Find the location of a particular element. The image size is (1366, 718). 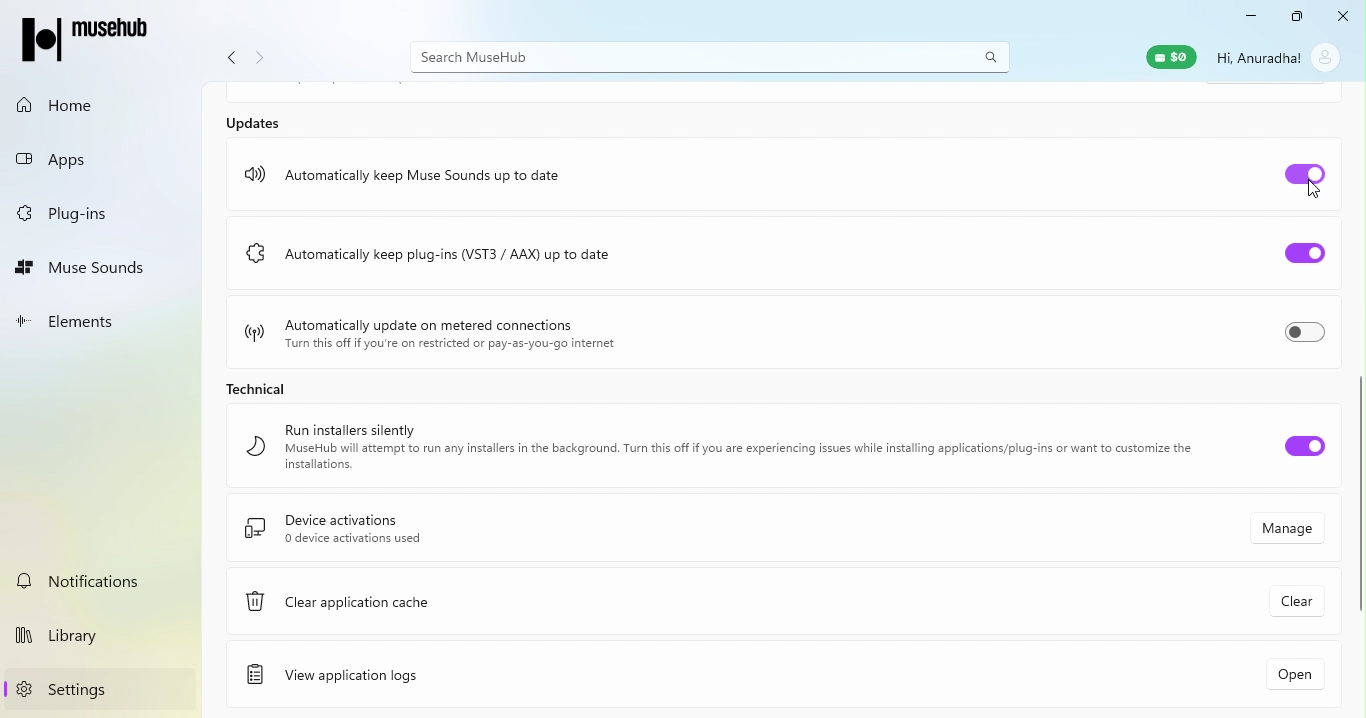

Toggle is located at coordinates (1302, 178).